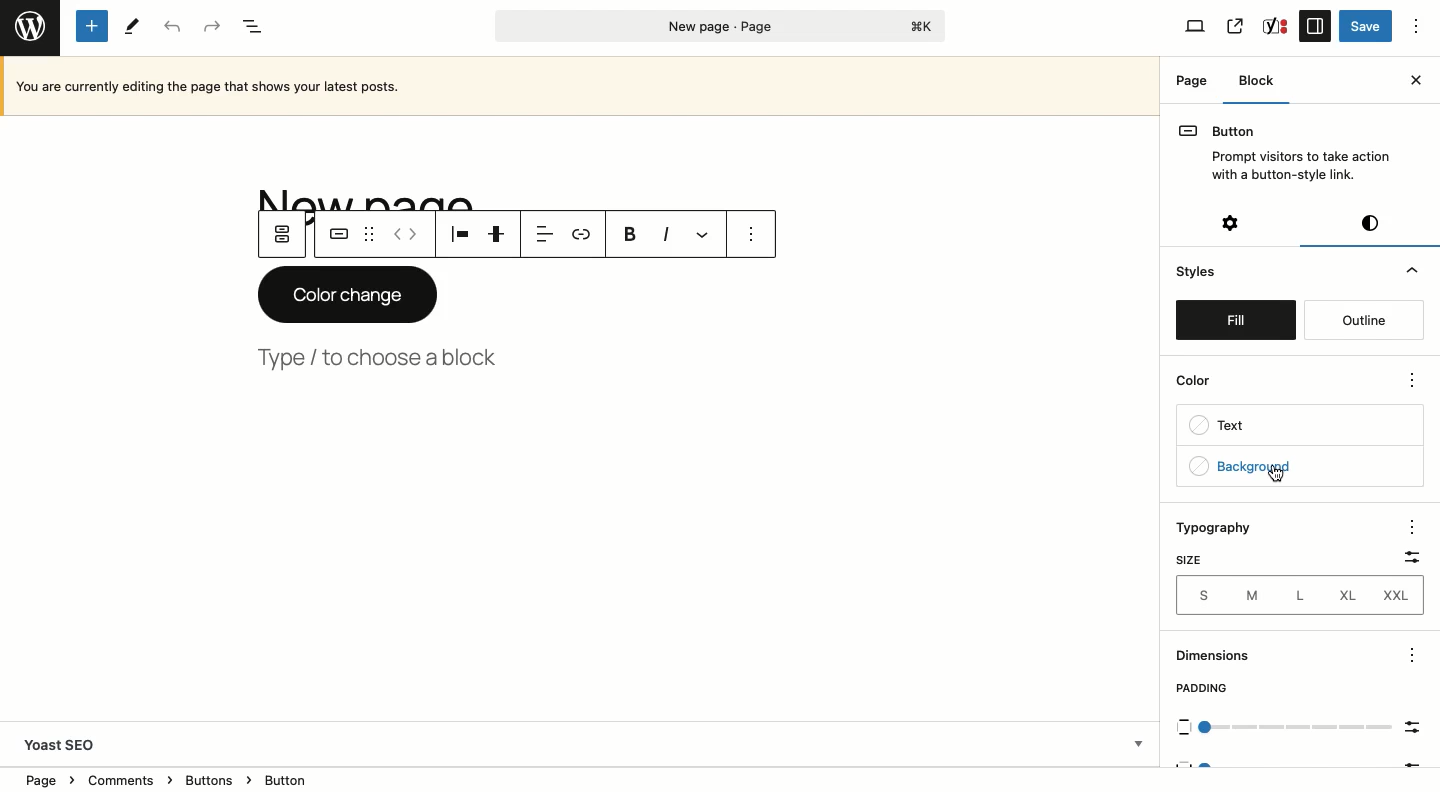 Image resolution: width=1440 pixels, height=792 pixels. I want to click on S, so click(1201, 596).